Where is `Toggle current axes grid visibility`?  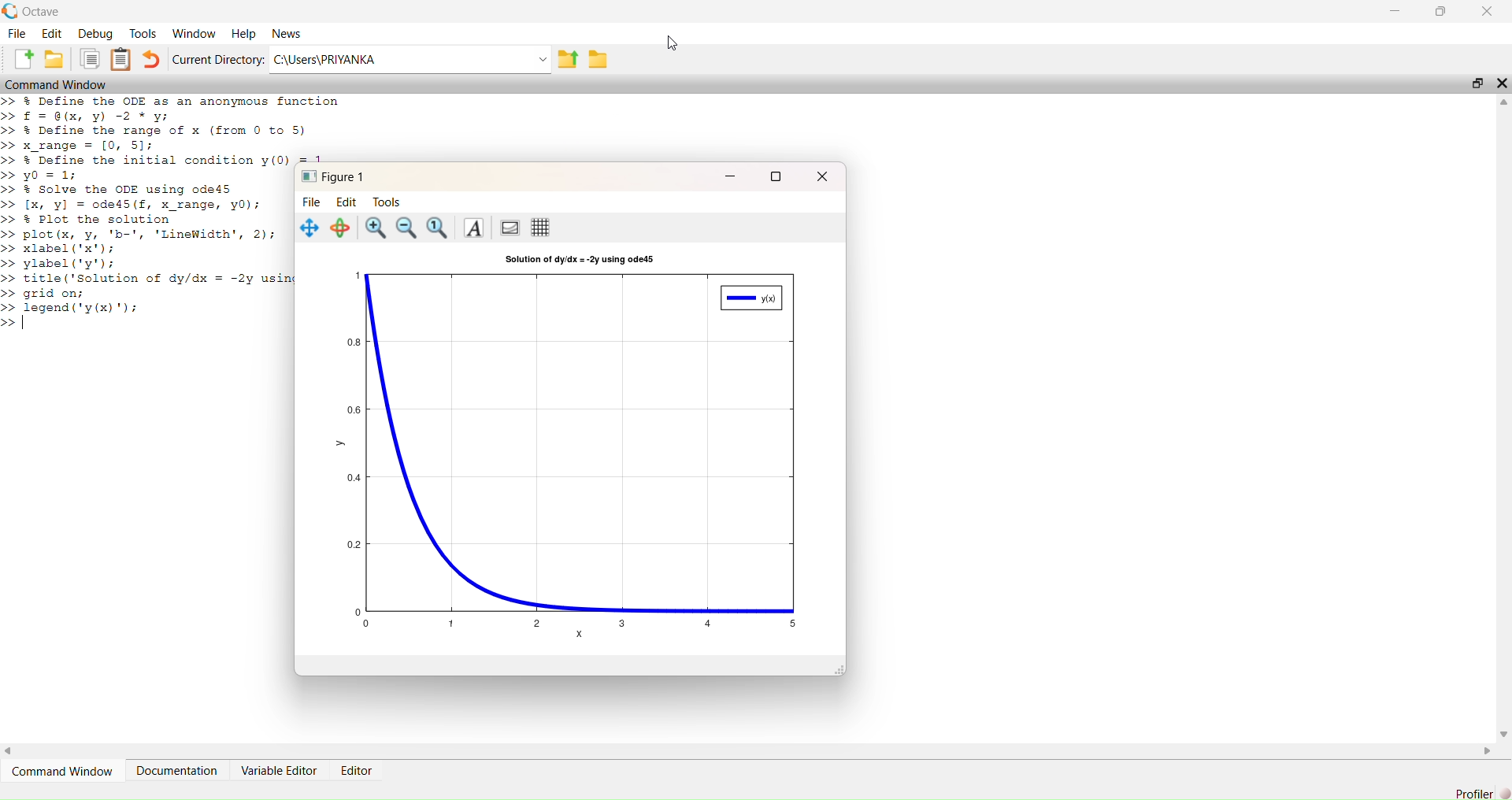 Toggle current axes grid visibility is located at coordinates (540, 227).